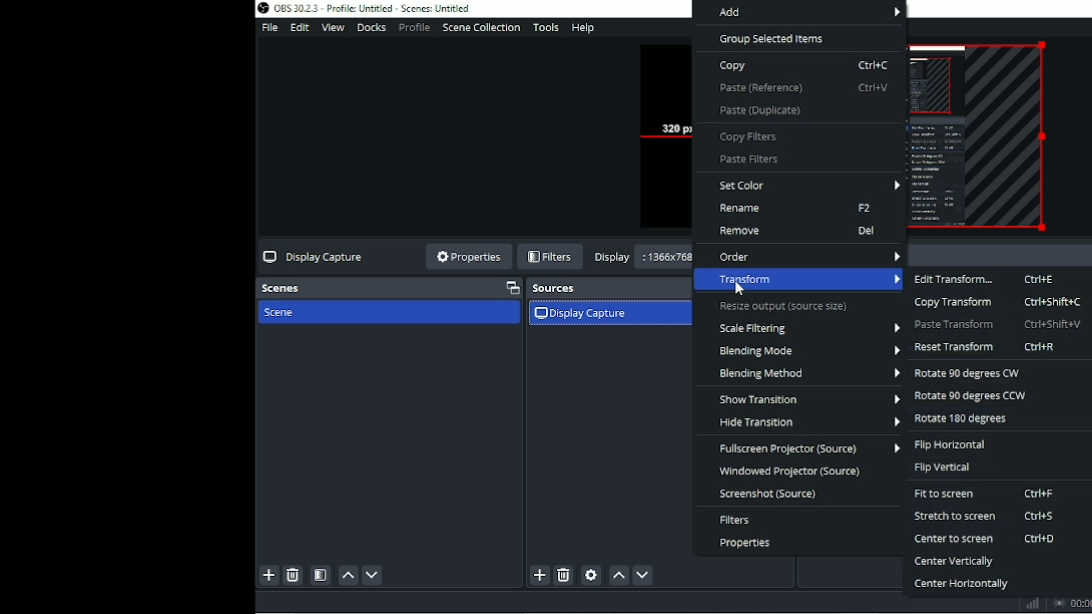  I want to click on Scene collection, so click(480, 28).